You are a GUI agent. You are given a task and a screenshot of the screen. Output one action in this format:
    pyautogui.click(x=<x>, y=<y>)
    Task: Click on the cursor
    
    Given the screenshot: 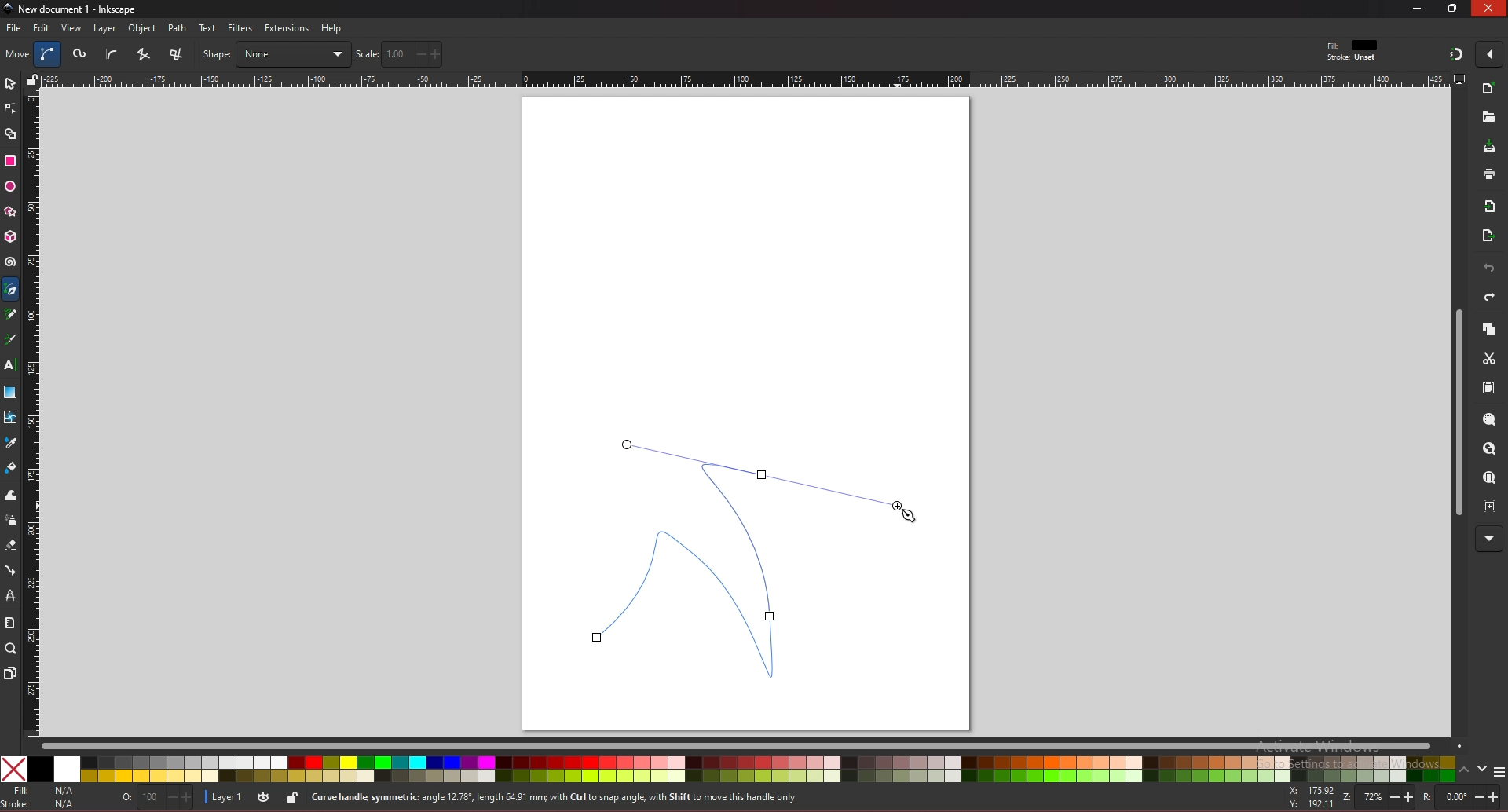 What is the action you would take?
    pyautogui.click(x=909, y=511)
    